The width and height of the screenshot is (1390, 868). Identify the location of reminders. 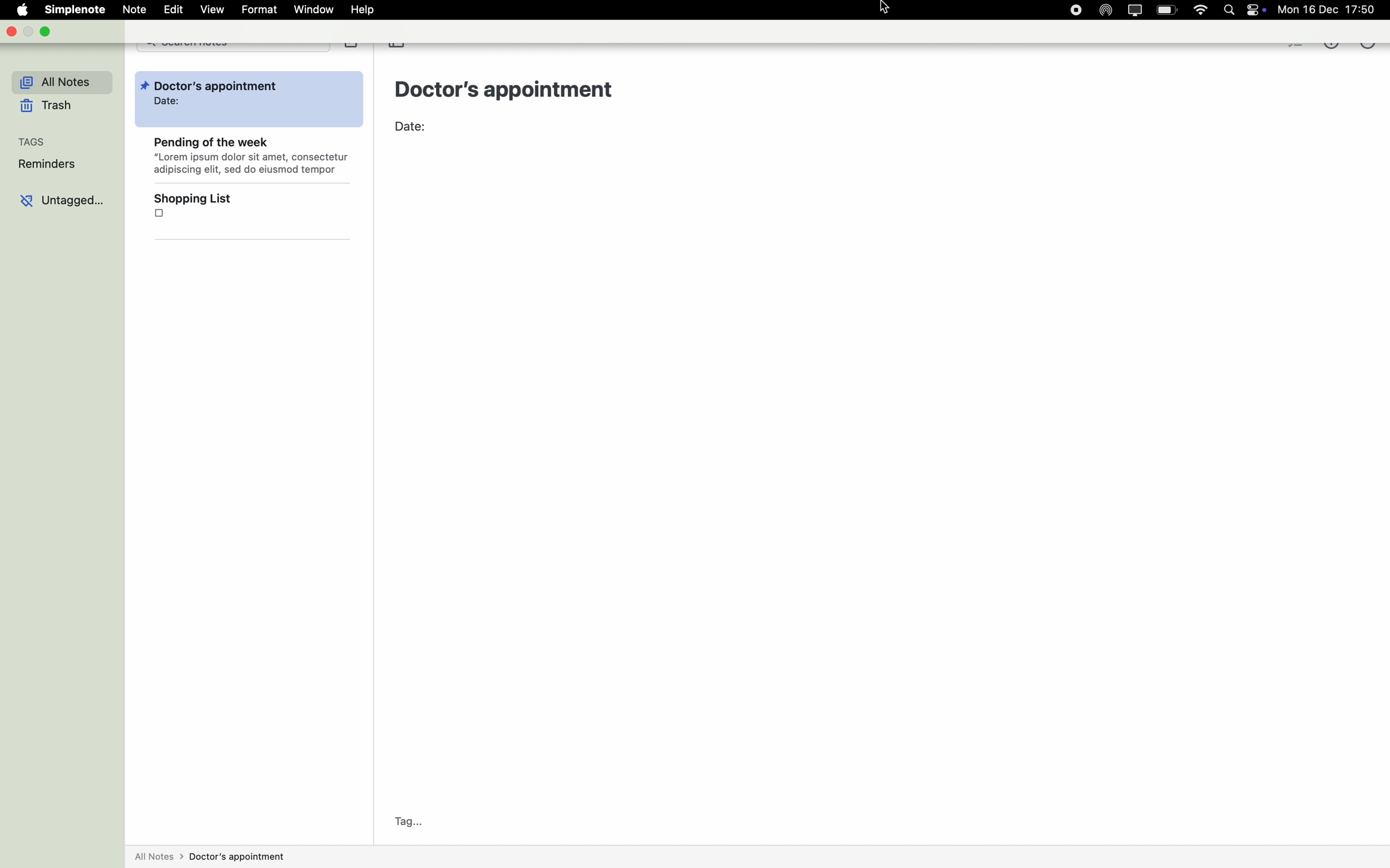
(46, 165).